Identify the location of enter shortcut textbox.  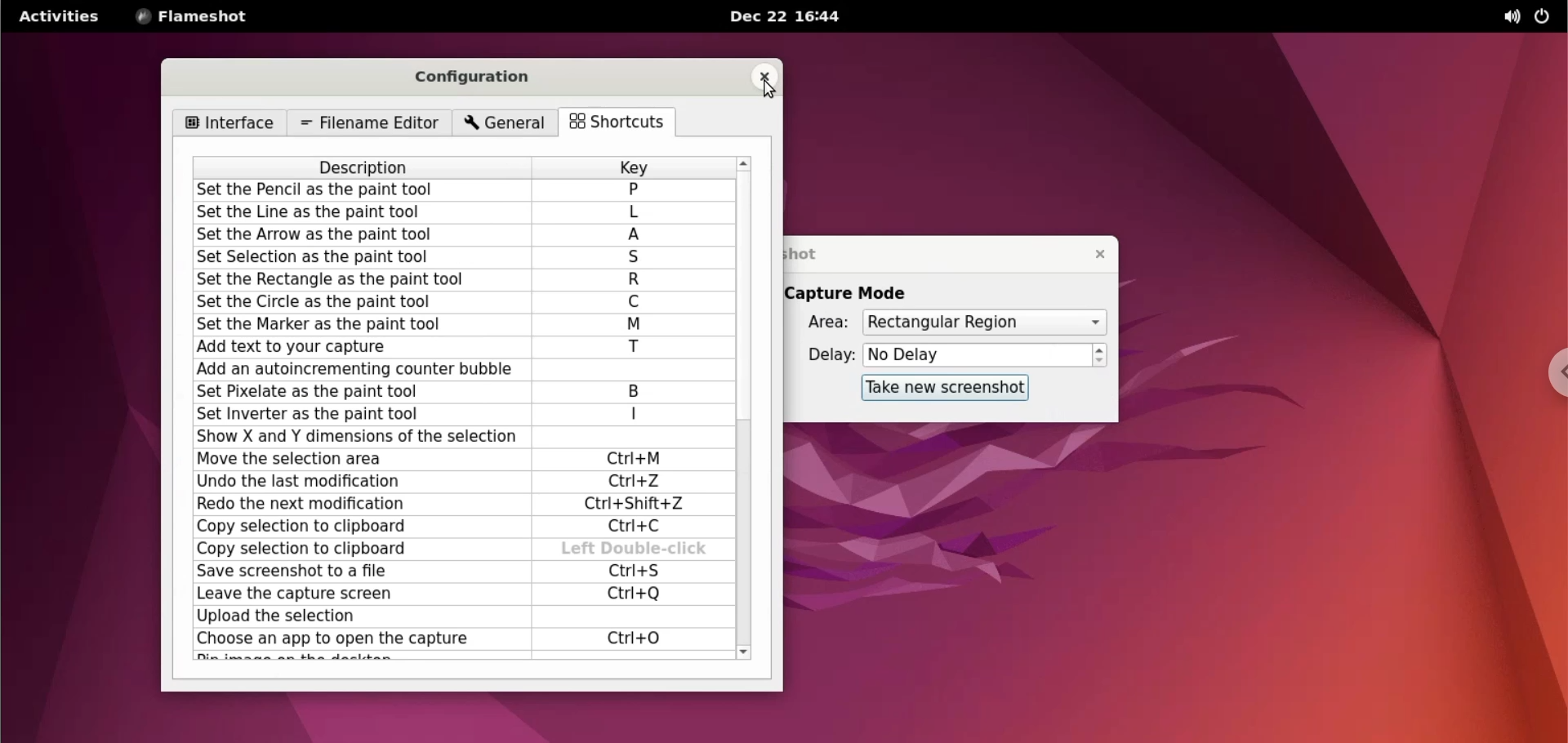
(625, 617).